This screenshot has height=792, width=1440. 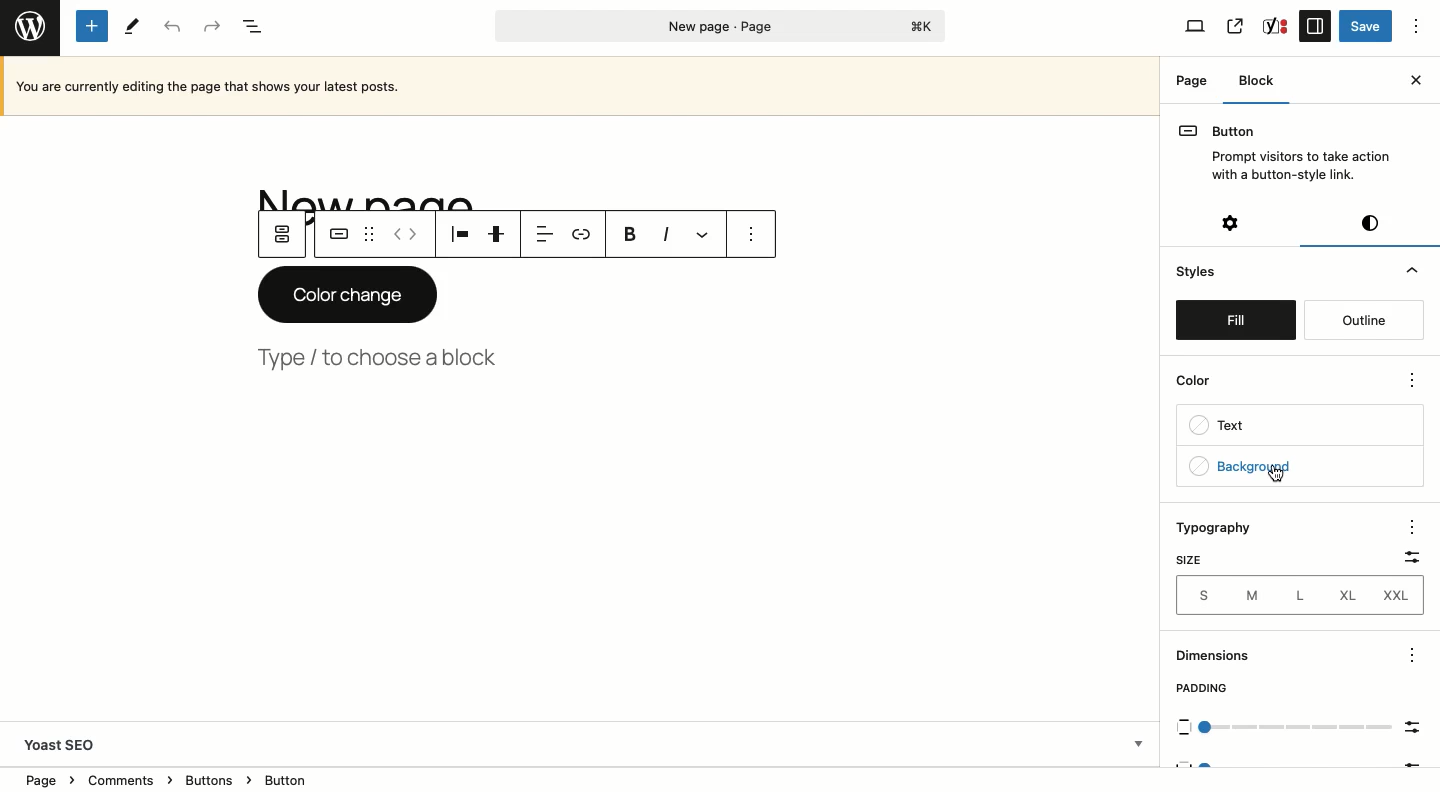 What do you see at coordinates (1232, 222) in the screenshot?
I see `Settings` at bounding box center [1232, 222].